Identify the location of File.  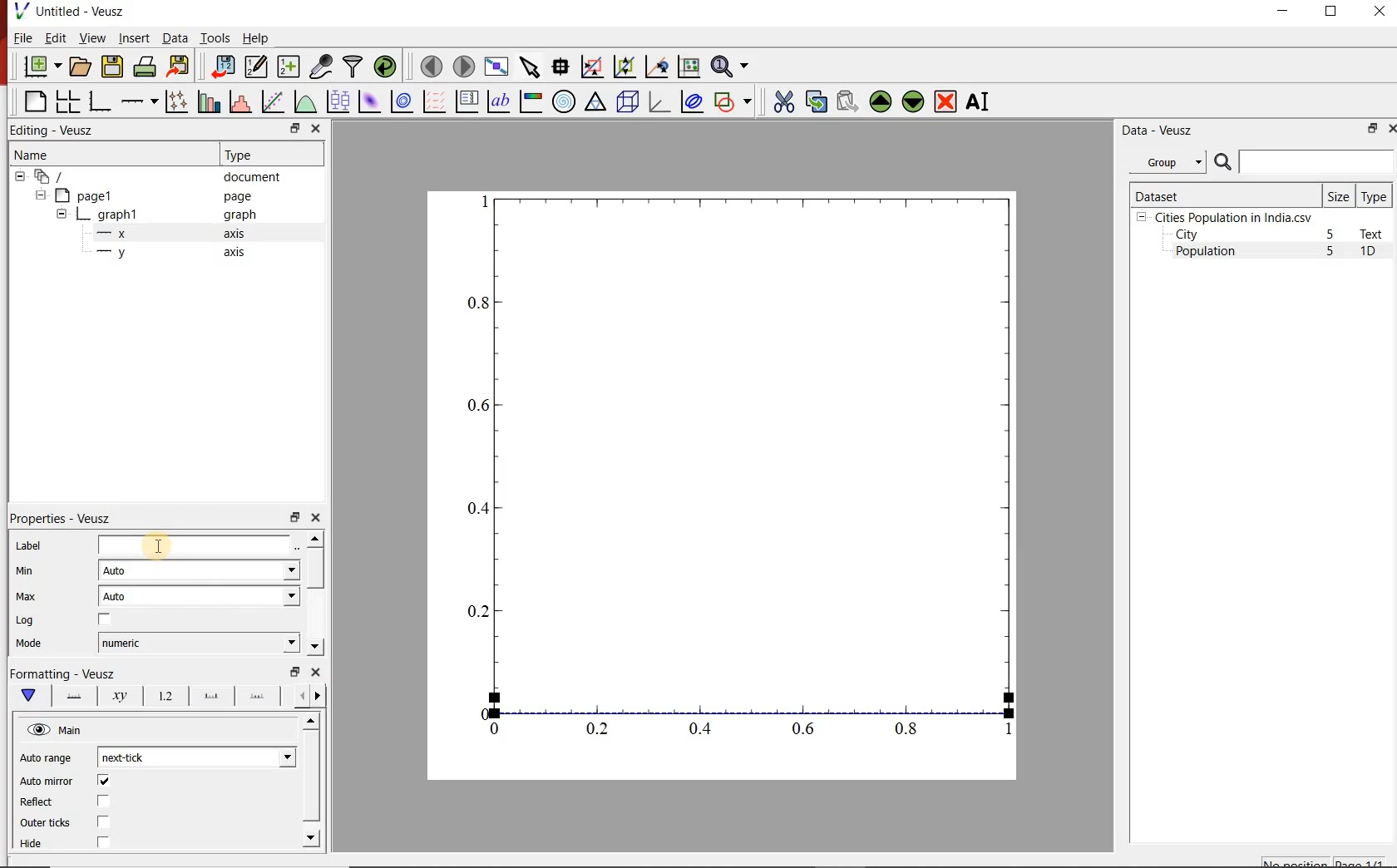
(23, 37).